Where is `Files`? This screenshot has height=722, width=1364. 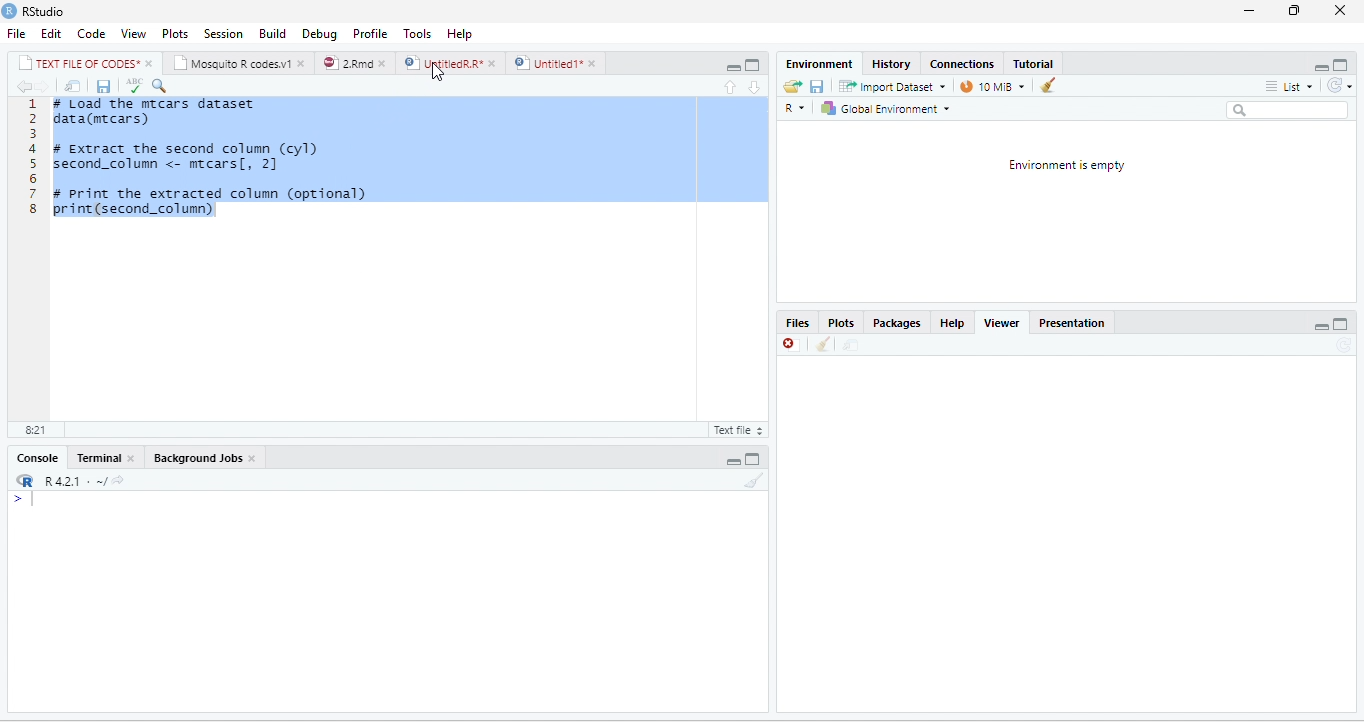
Files is located at coordinates (798, 324).